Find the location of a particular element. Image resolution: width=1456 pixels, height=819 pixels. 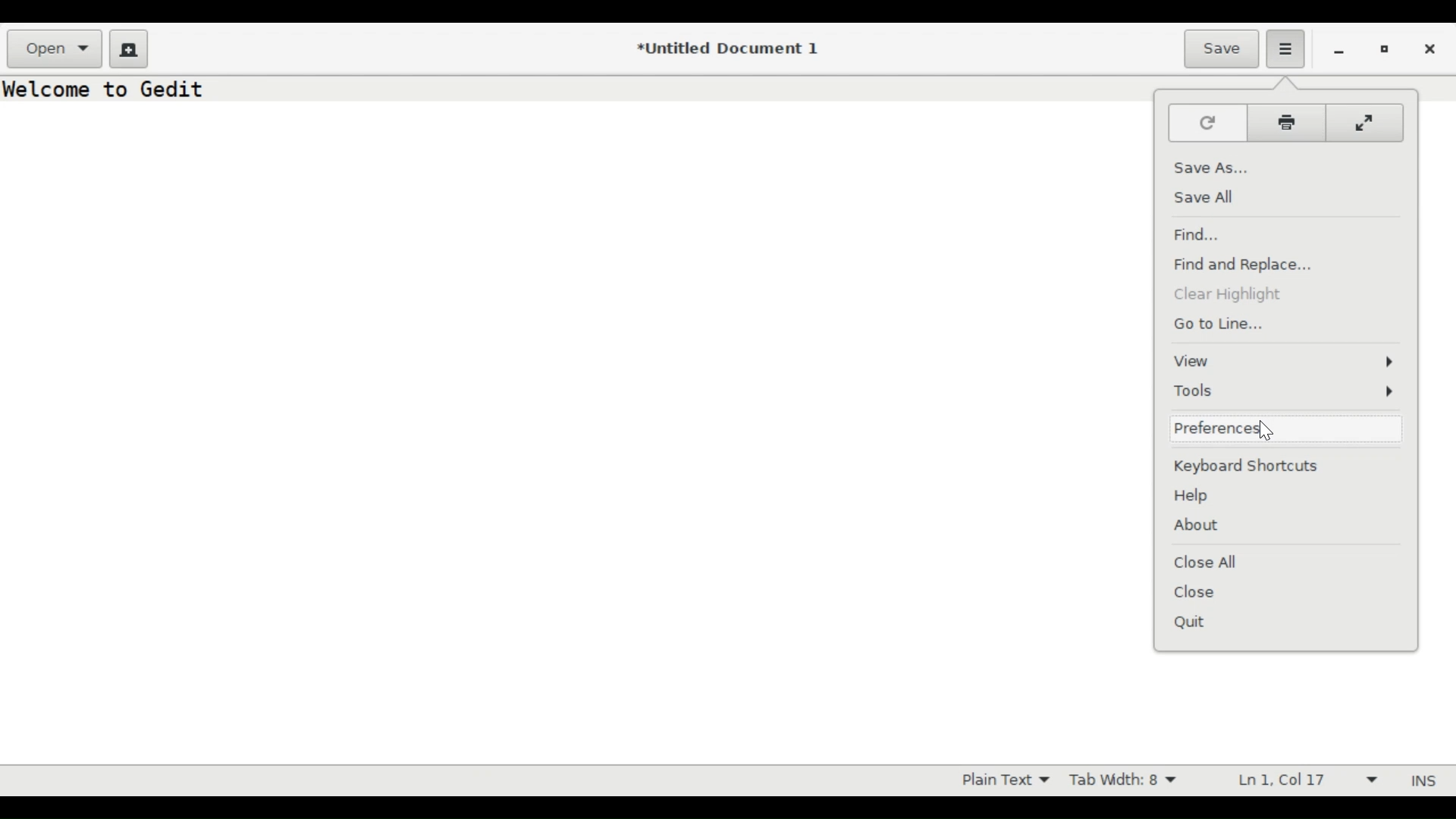

INS is located at coordinates (1423, 777).